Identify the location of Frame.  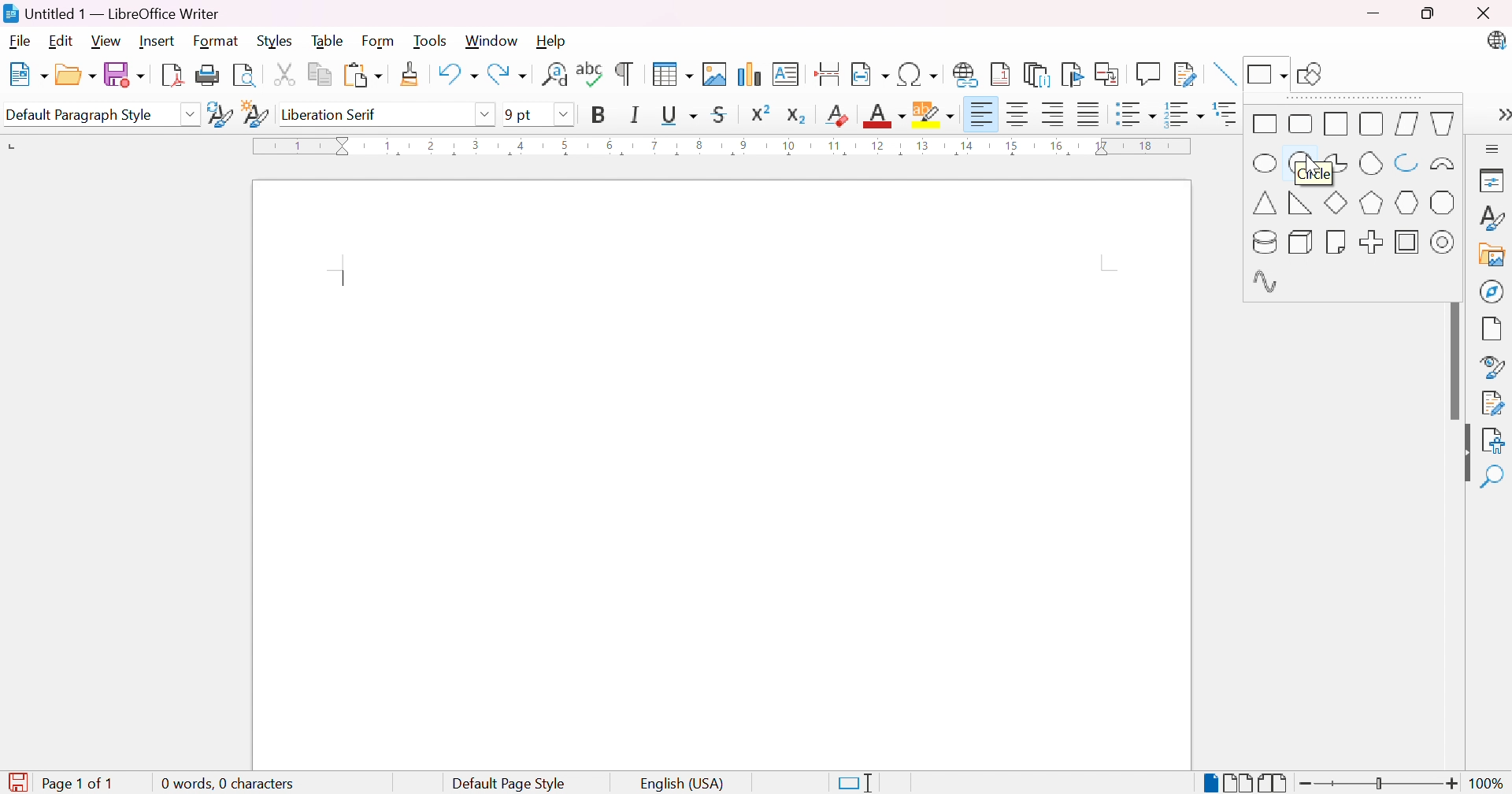
(1406, 242).